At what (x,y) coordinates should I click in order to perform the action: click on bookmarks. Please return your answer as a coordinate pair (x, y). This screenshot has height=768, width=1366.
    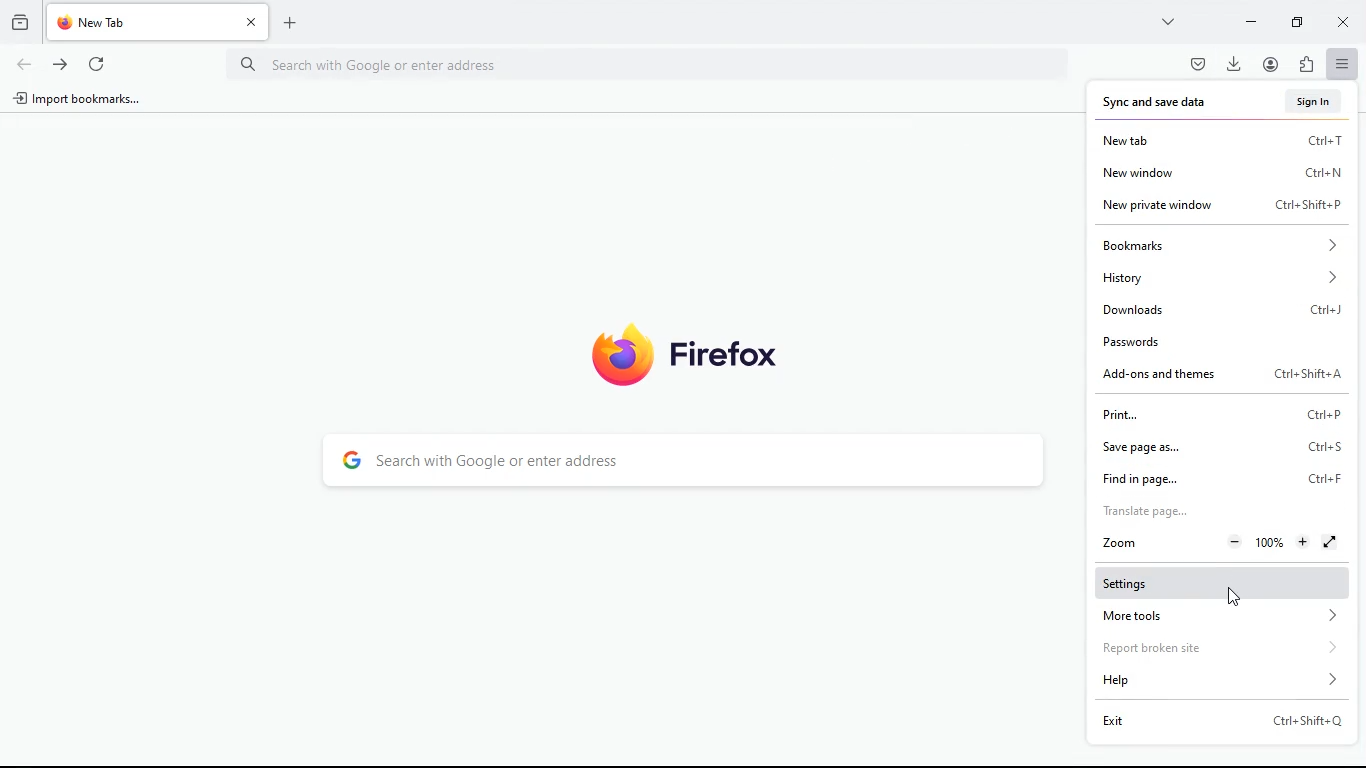
    Looking at the image, I should click on (1215, 245).